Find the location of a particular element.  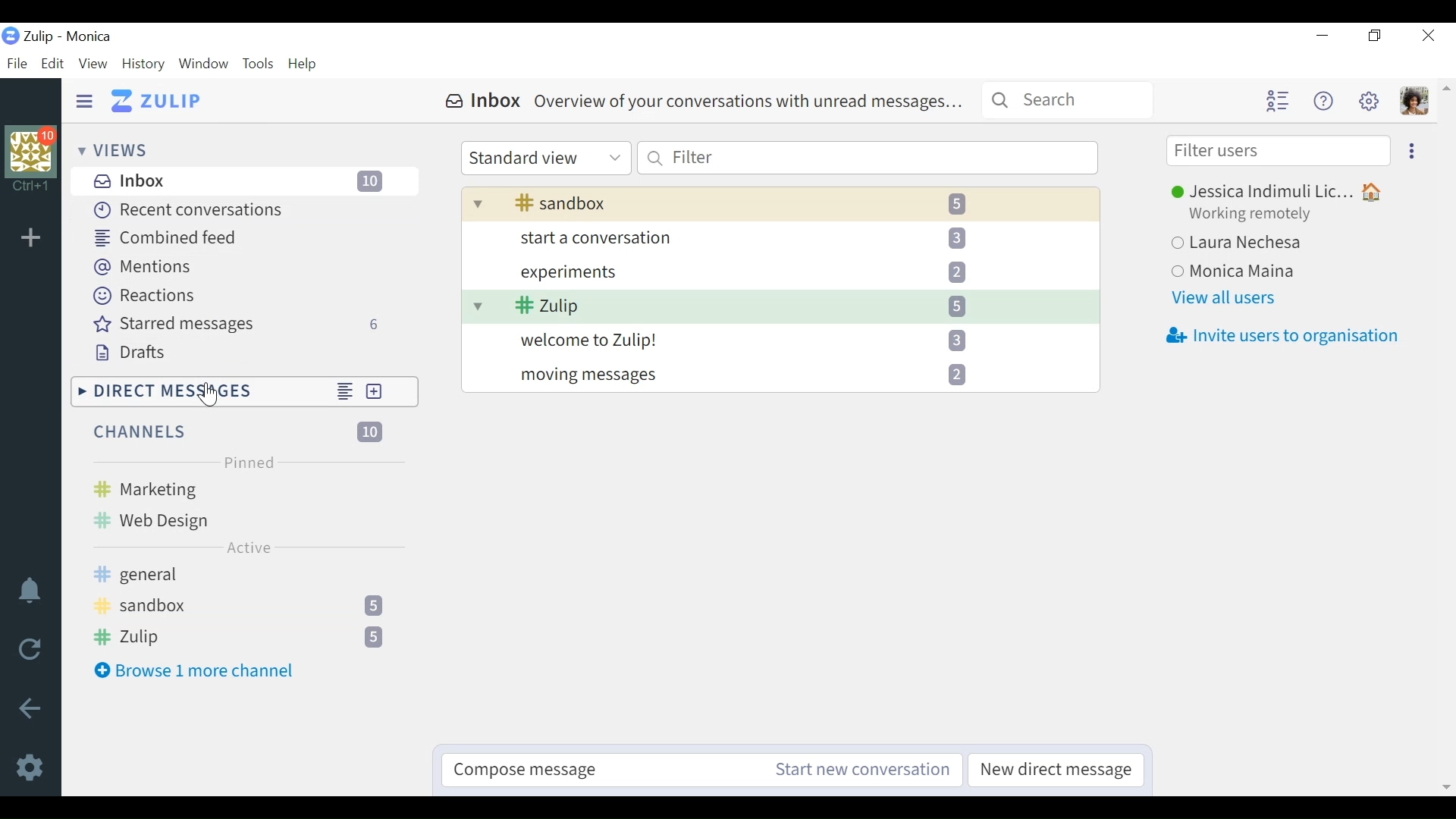

Channels is located at coordinates (238, 431).